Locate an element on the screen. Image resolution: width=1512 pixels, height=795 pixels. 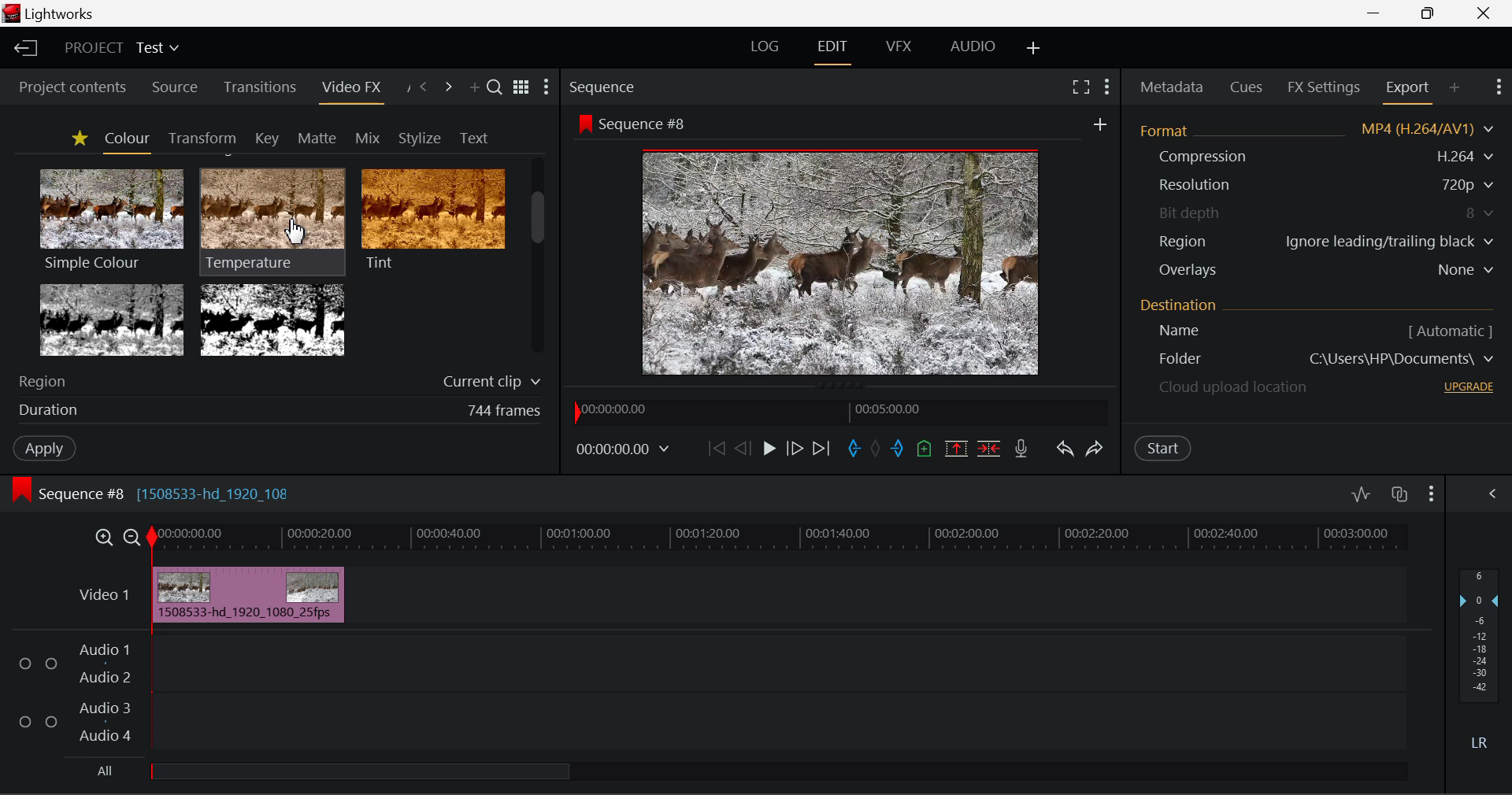
Checkbox is located at coordinates (25, 720).